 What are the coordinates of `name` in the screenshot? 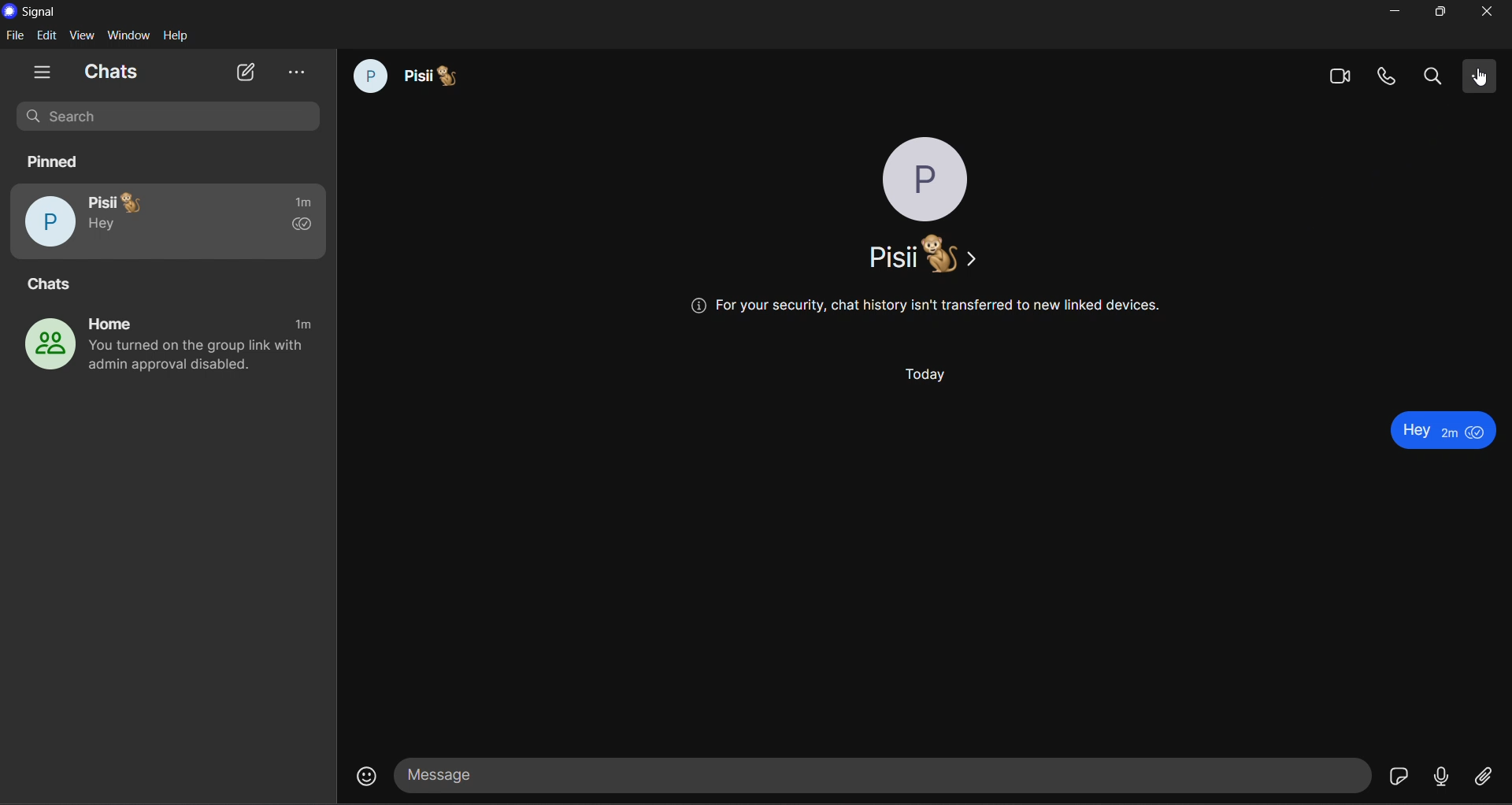 It's located at (923, 253).